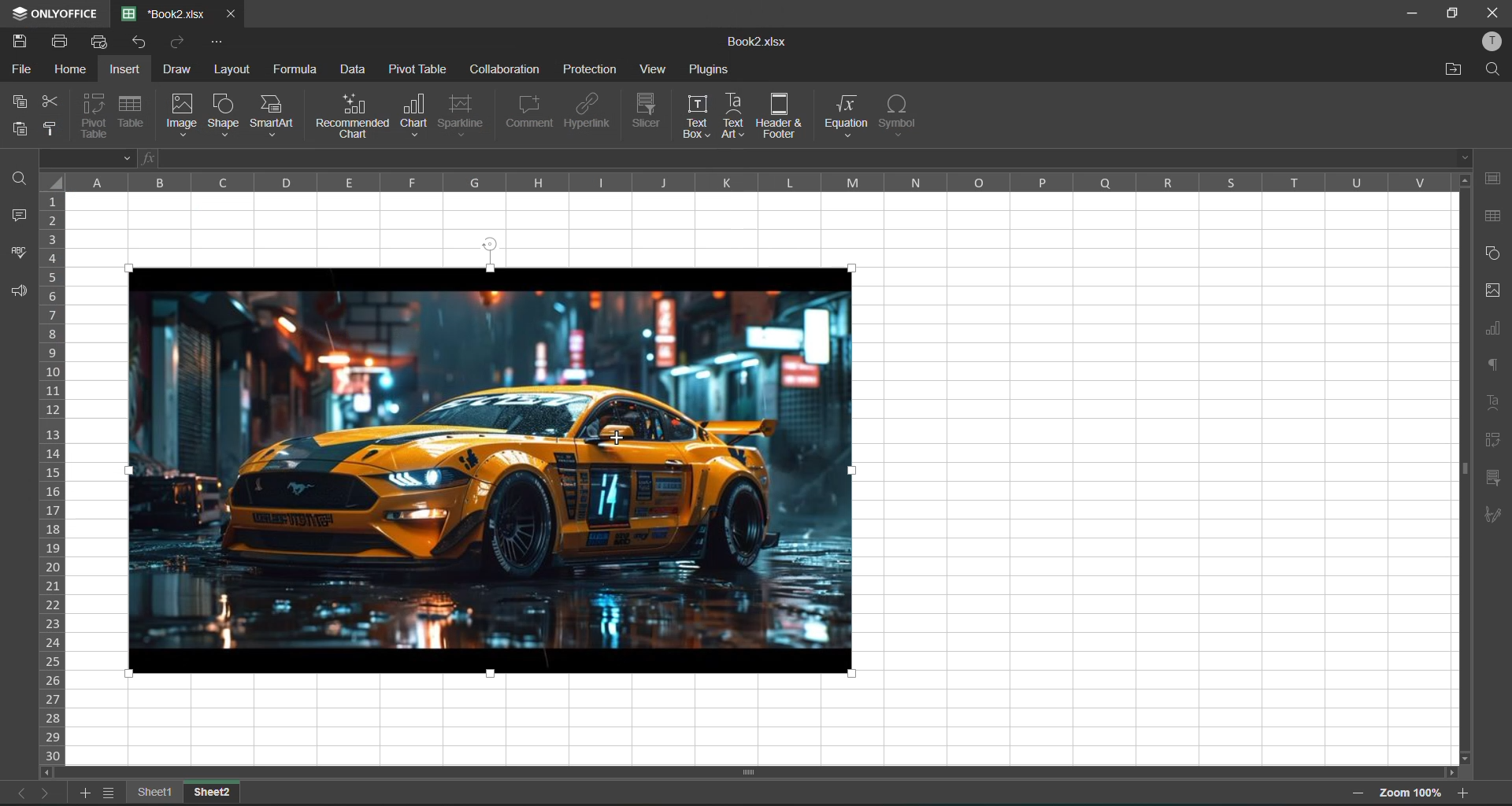 The image size is (1512, 806). Describe the element at coordinates (710, 70) in the screenshot. I see `plugins` at that location.